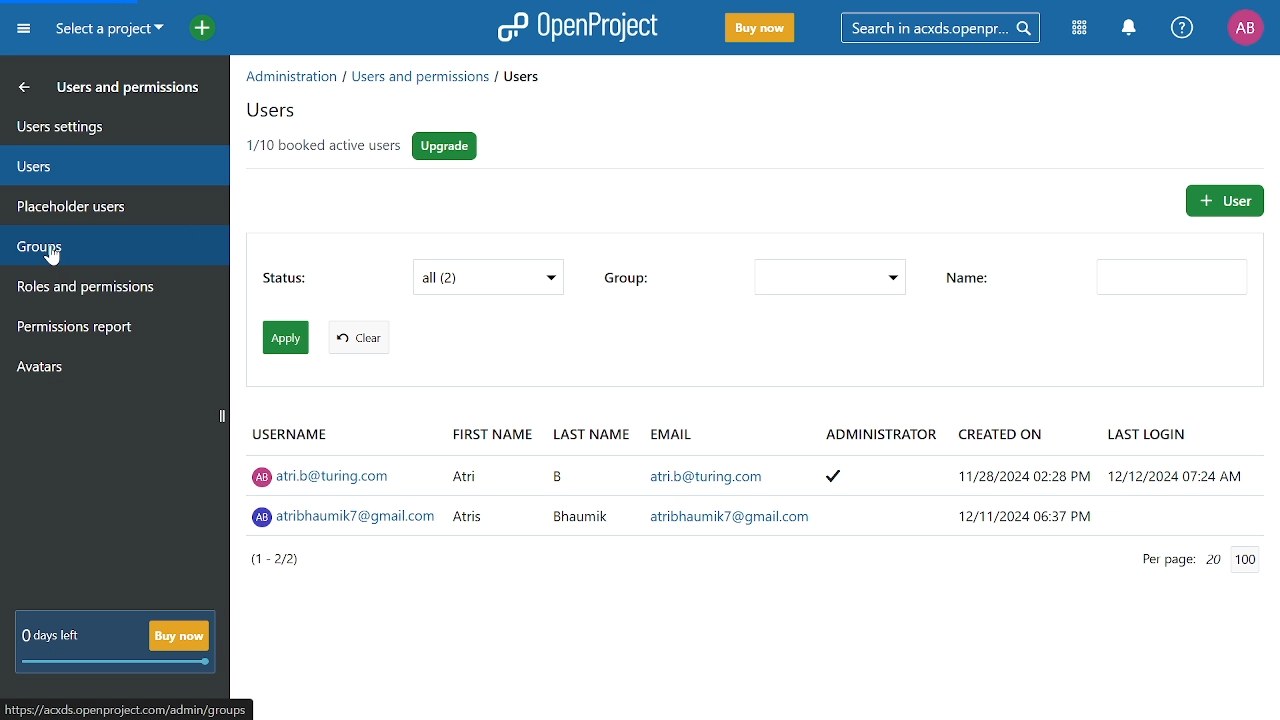  I want to click on Users, so click(278, 112).